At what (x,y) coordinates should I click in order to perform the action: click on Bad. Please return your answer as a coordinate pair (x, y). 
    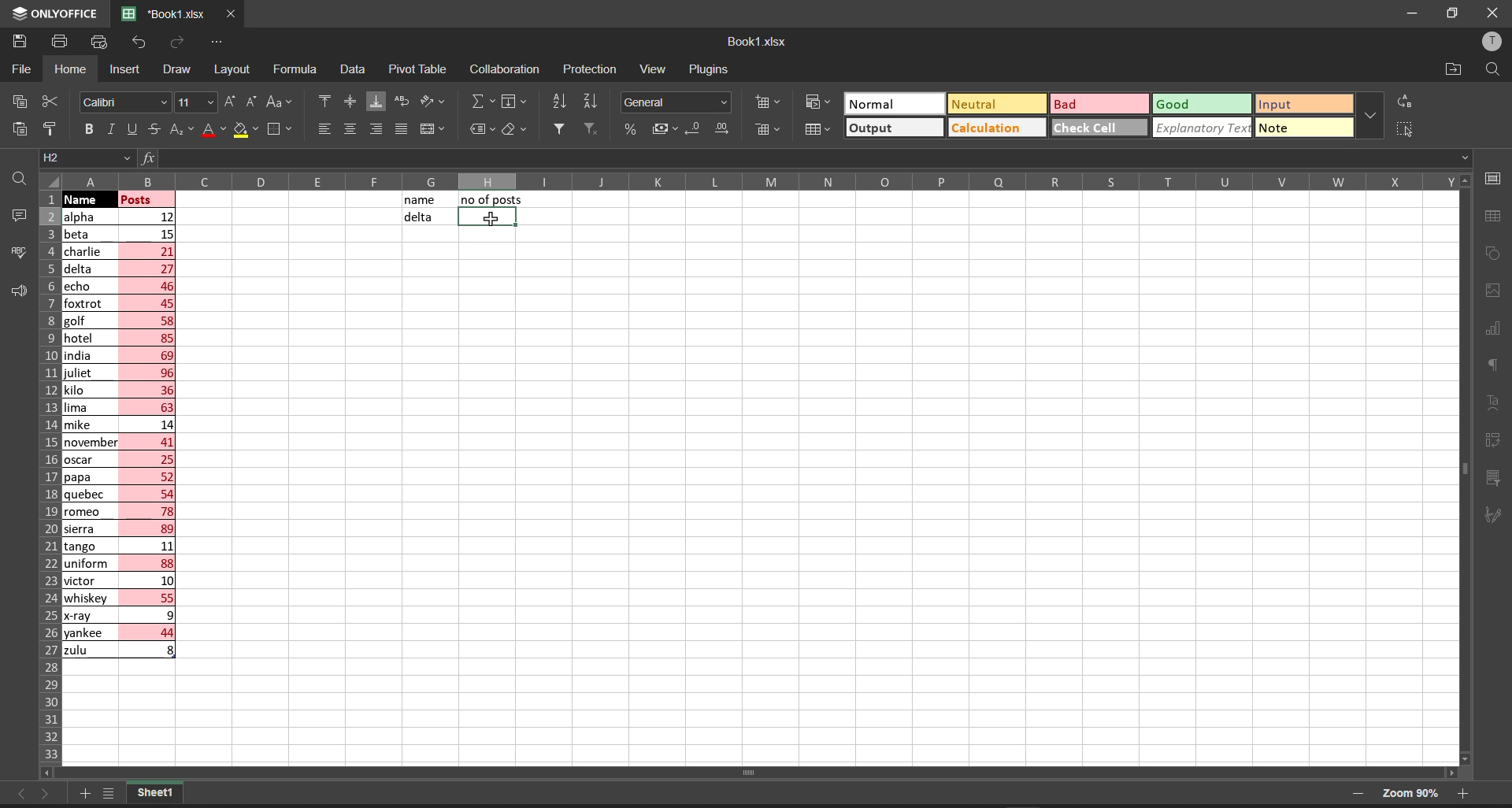
    Looking at the image, I should click on (1070, 104).